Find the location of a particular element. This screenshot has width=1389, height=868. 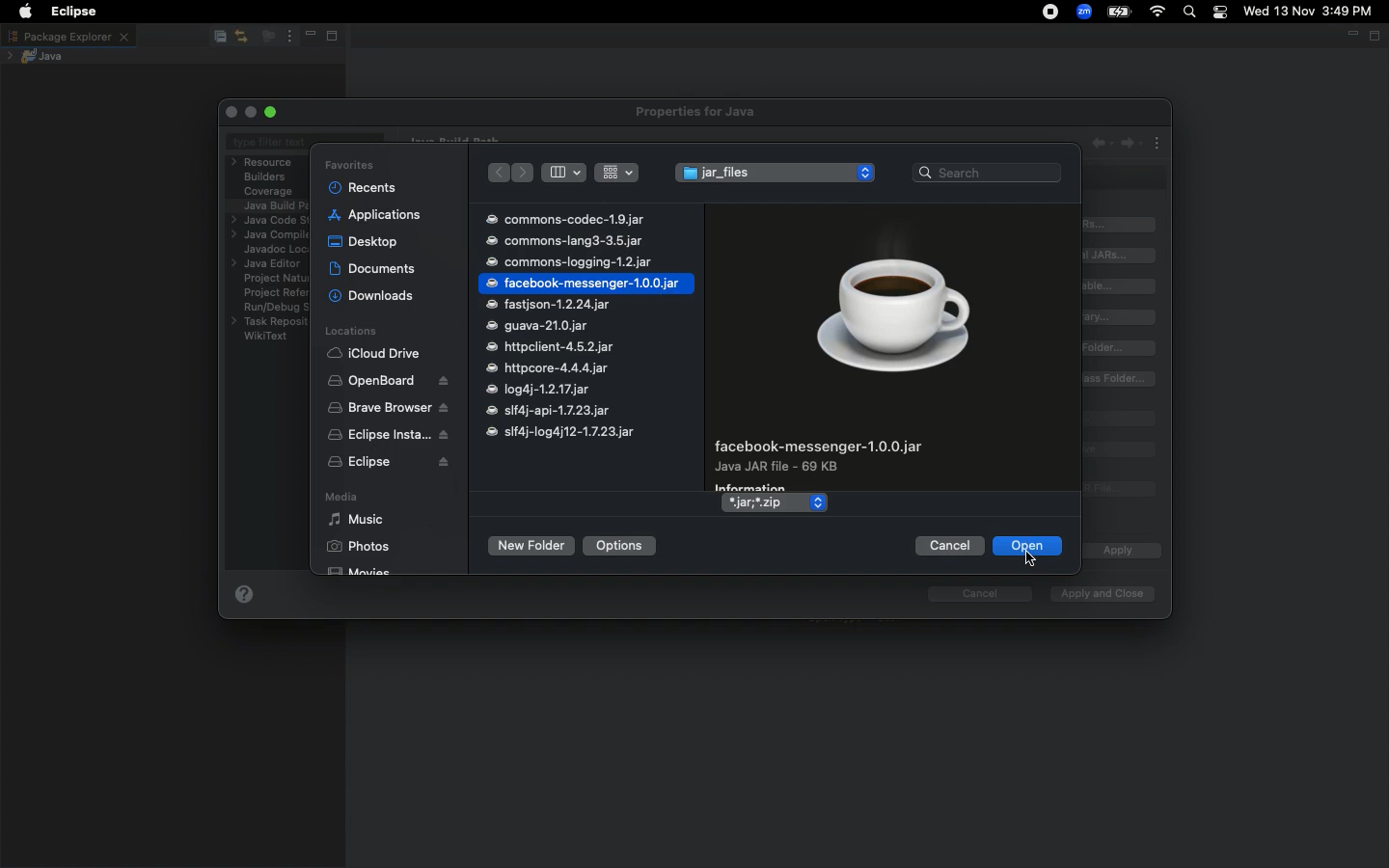

Photos is located at coordinates (358, 546).